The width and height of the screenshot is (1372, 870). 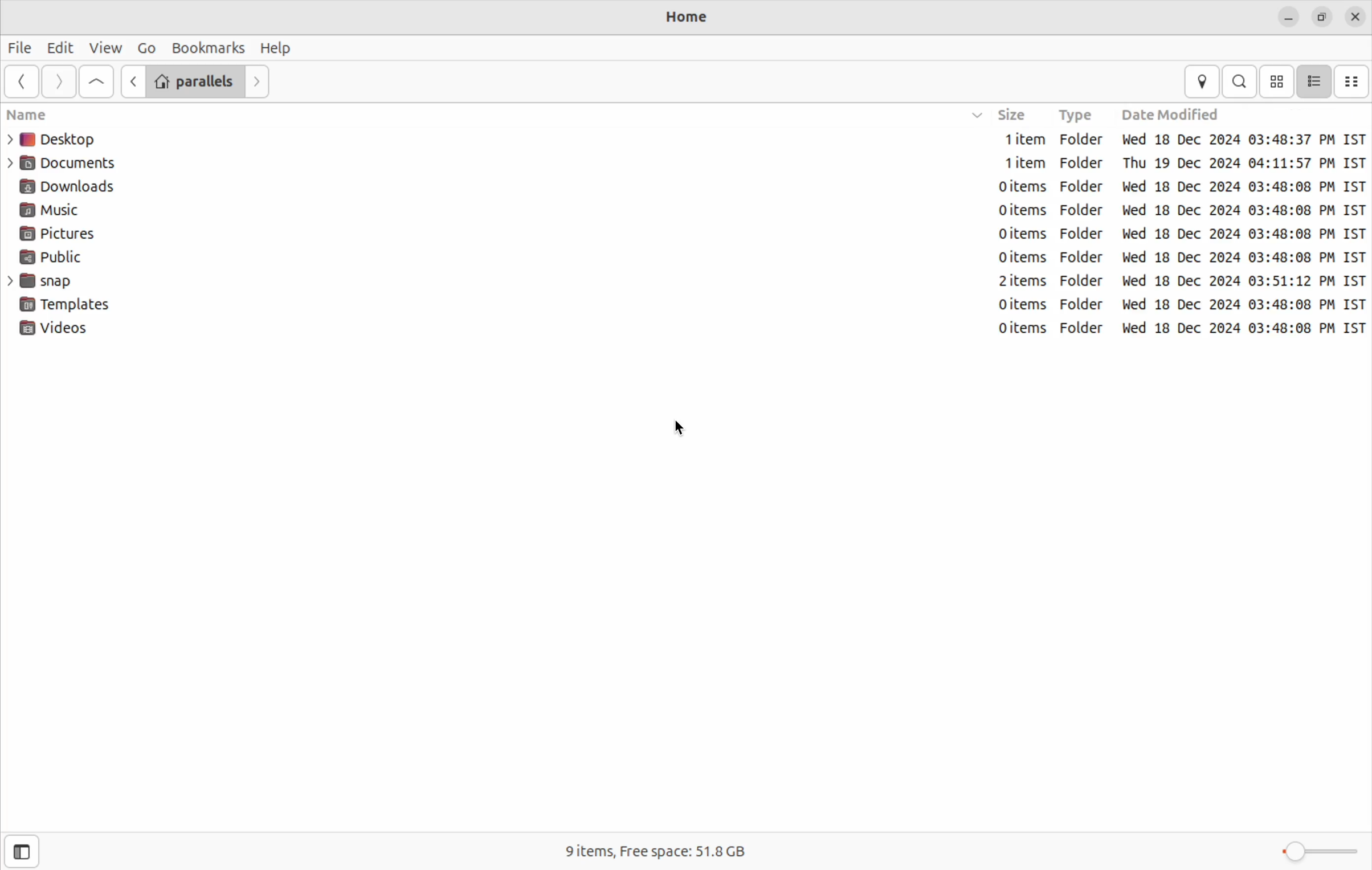 I want to click on Templates, so click(x=66, y=305).